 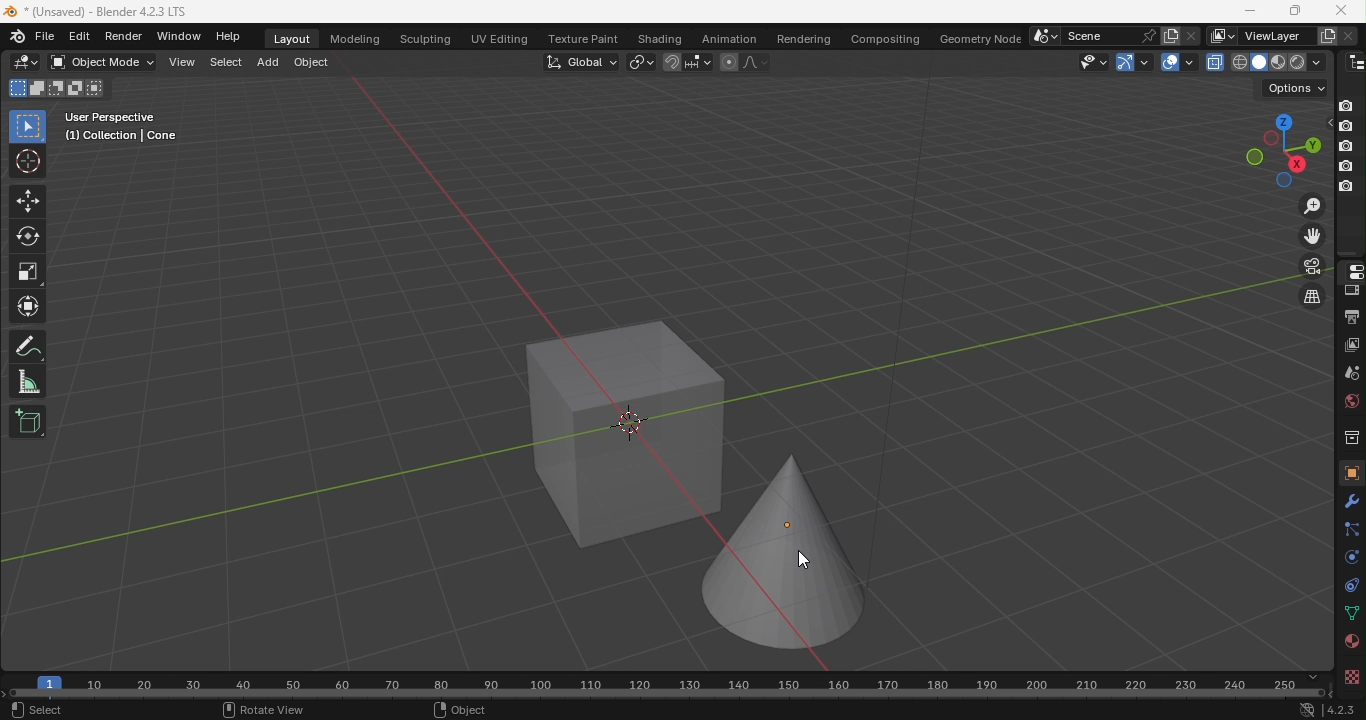 What do you see at coordinates (728, 64) in the screenshot?
I see `Proportional editing objects` at bounding box center [728, 64].